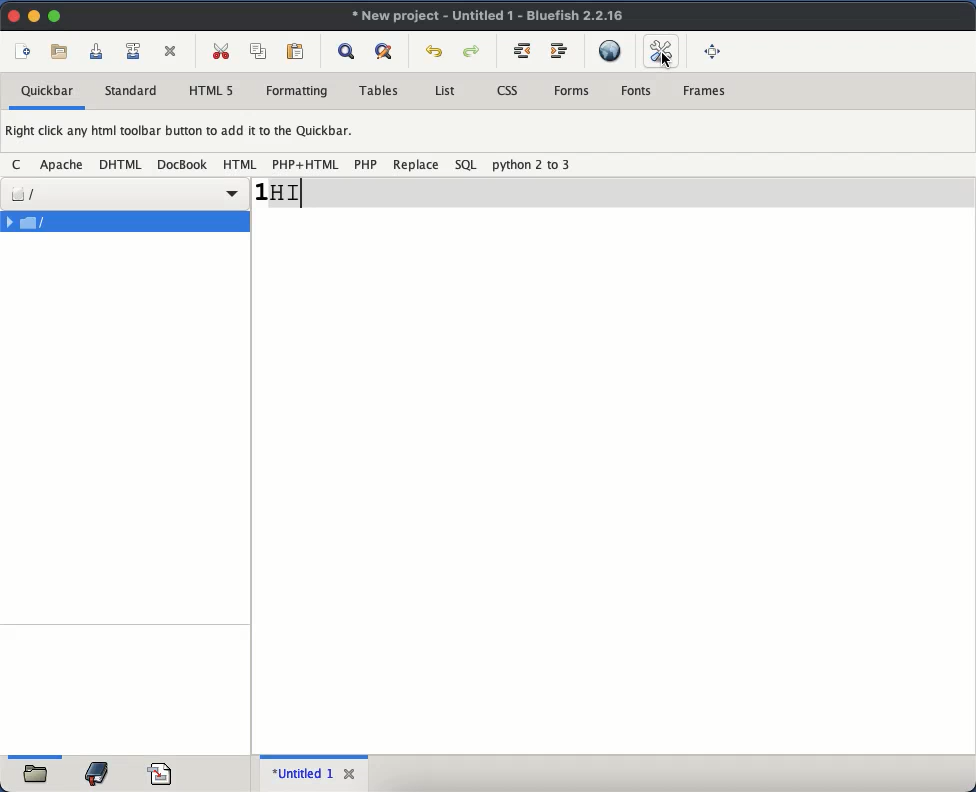 Image resolution: width=976 pixels, height=792 pixels. Describe the element at coordinates (447, 90) in the screenshot. I see `list` at that location.